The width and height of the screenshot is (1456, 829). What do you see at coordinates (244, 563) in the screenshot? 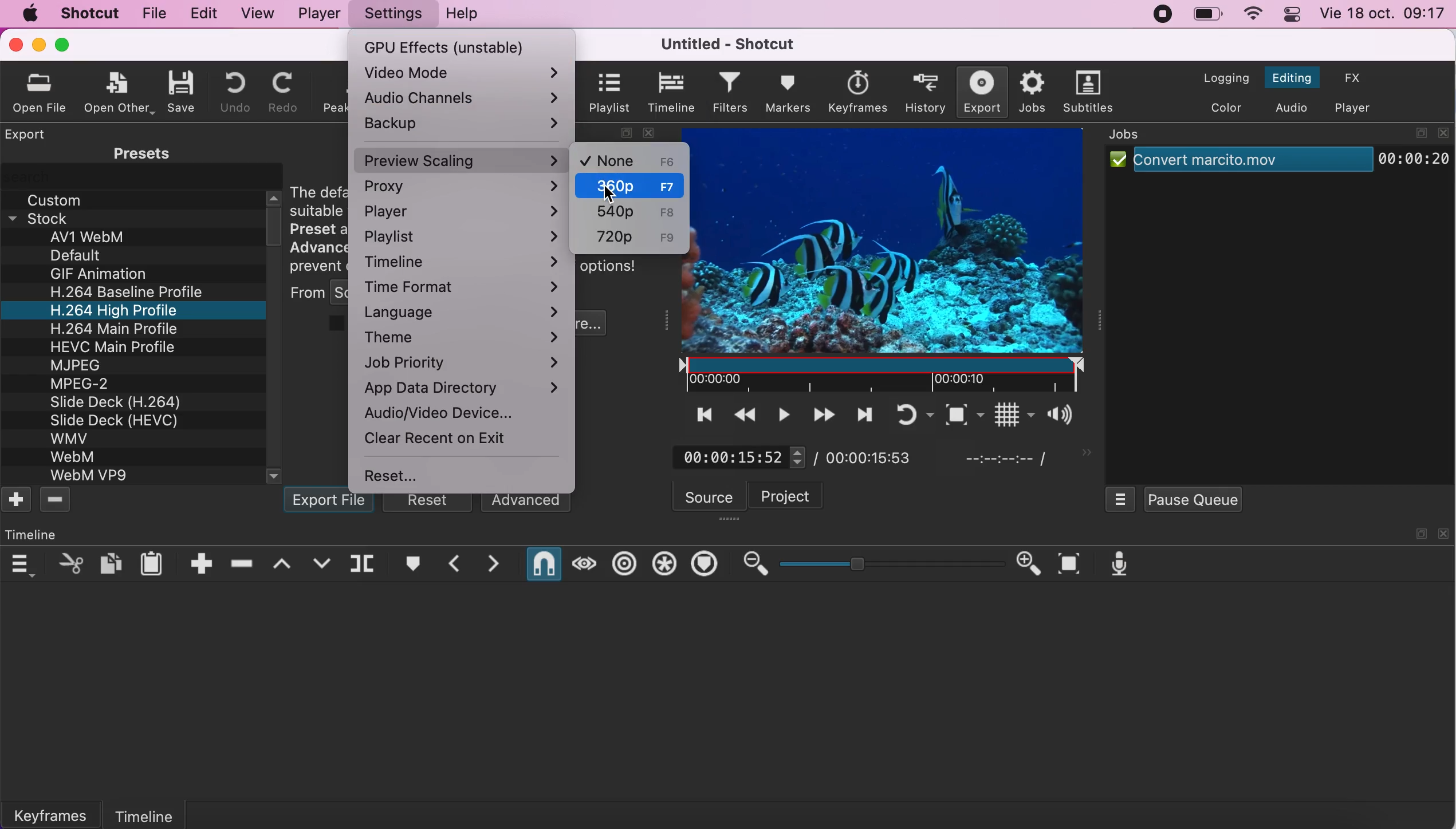
I see `ripple delete` at bounding box center [244, 563].